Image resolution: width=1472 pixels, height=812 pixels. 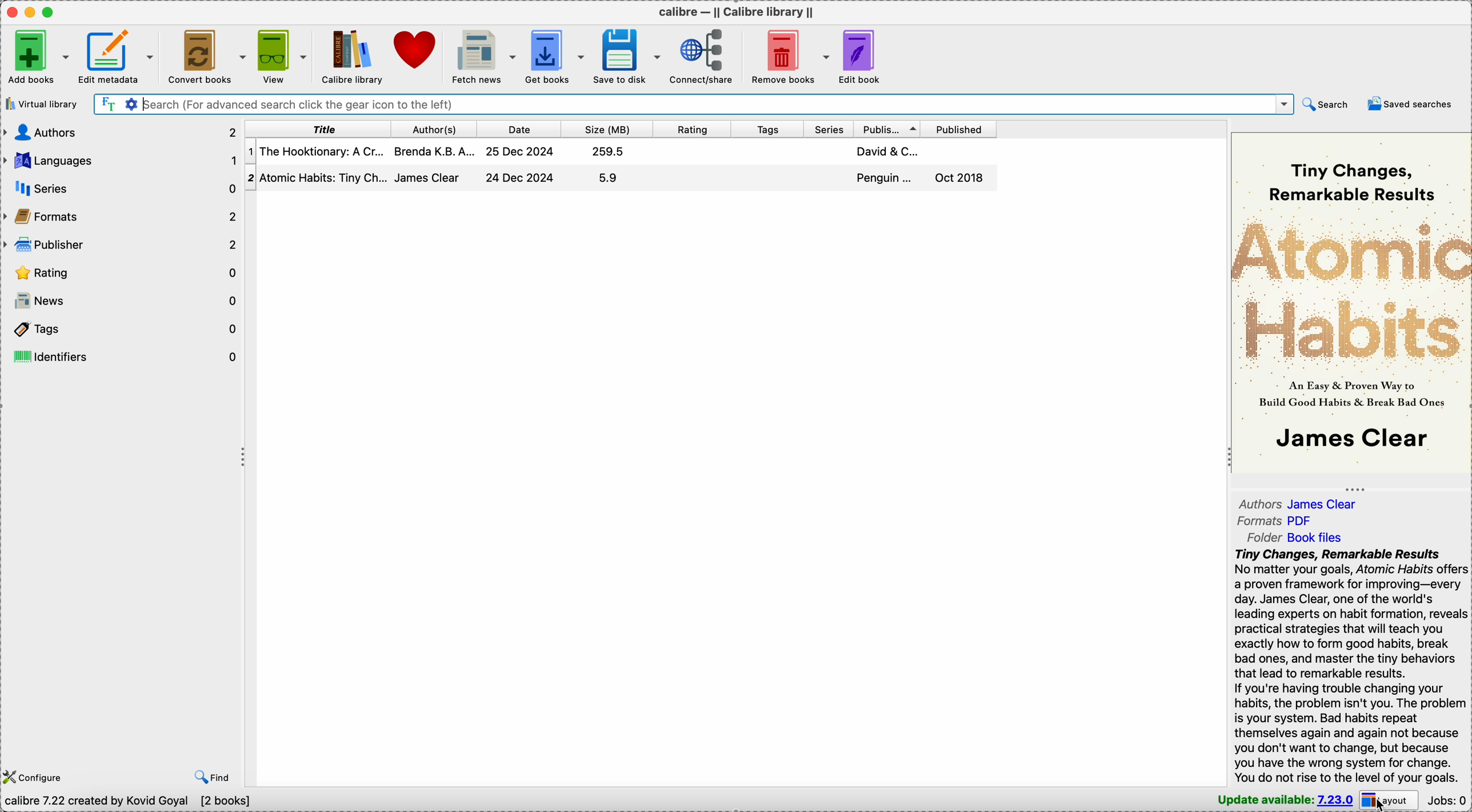 I want to click on search (for advanced search click the gear icon to the left), so click(x=706, y=103).